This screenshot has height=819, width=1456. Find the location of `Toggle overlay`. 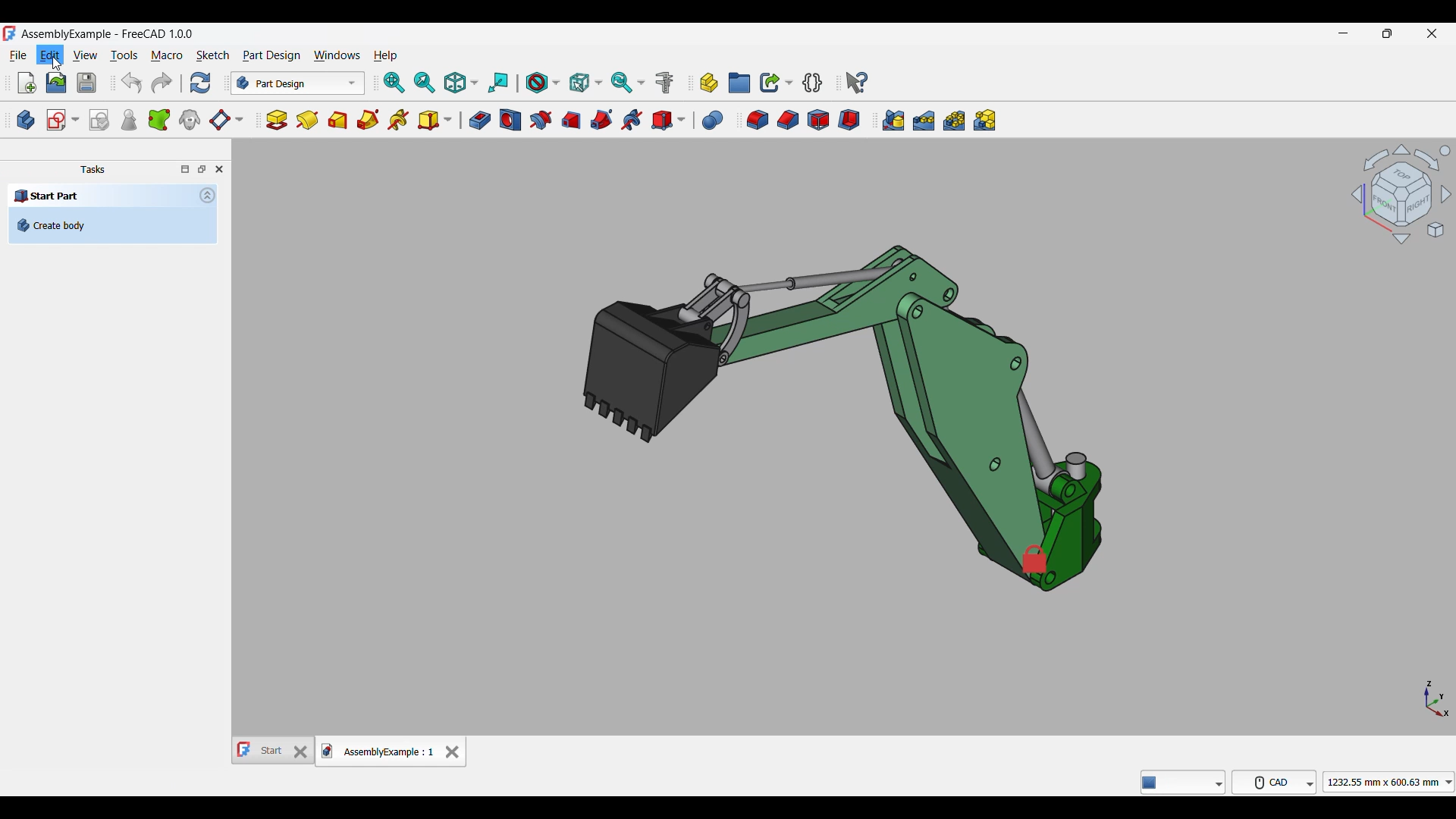

Toggle overlay is located at coordinates (185, 169).